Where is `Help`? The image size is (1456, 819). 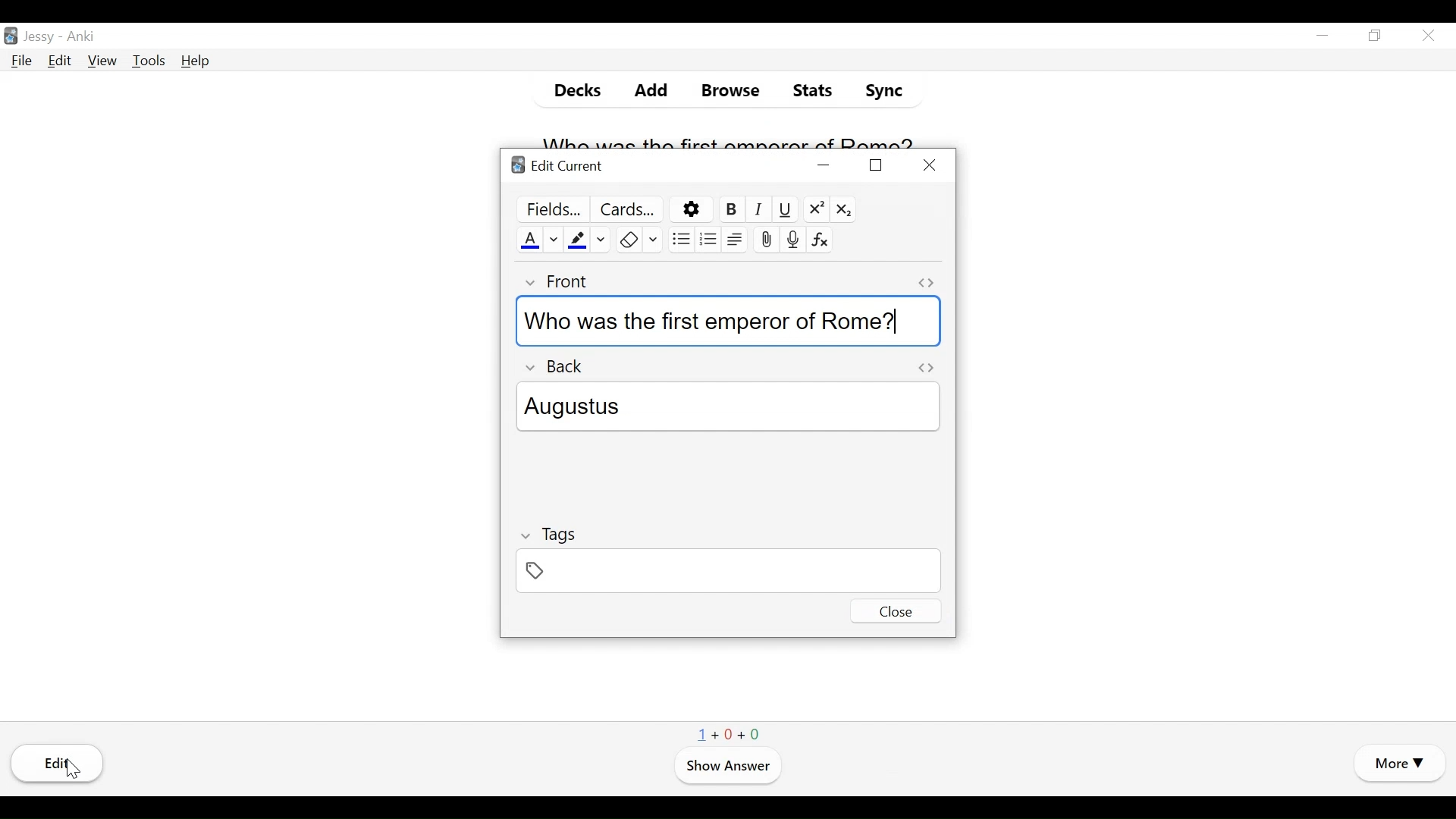 Help is located at coordinates (196, 61).